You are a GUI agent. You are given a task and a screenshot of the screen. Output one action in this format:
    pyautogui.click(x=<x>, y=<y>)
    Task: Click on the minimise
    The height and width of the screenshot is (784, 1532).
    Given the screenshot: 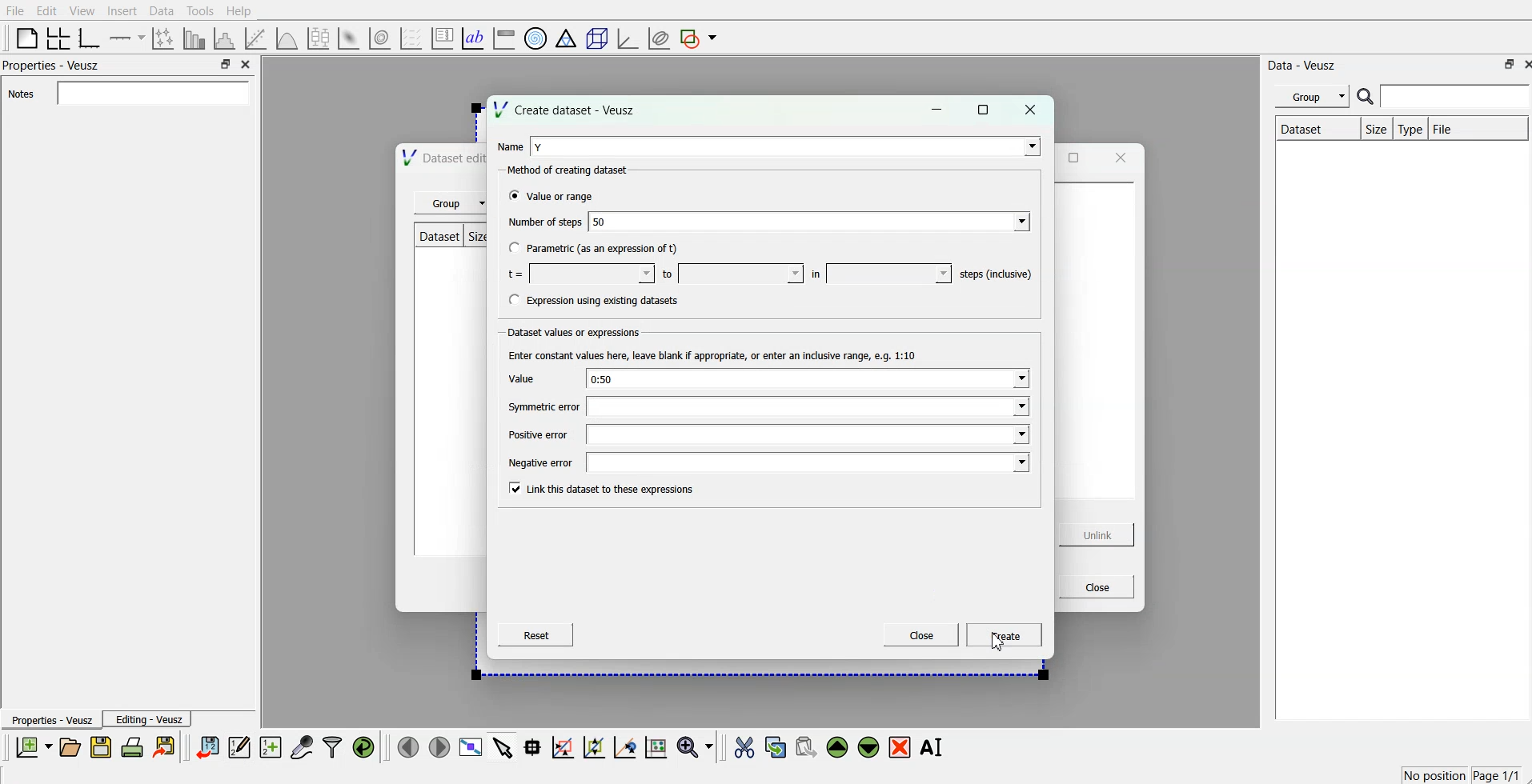 What is the action you would take?
    pyautogui.click(x=937, y=109)
    